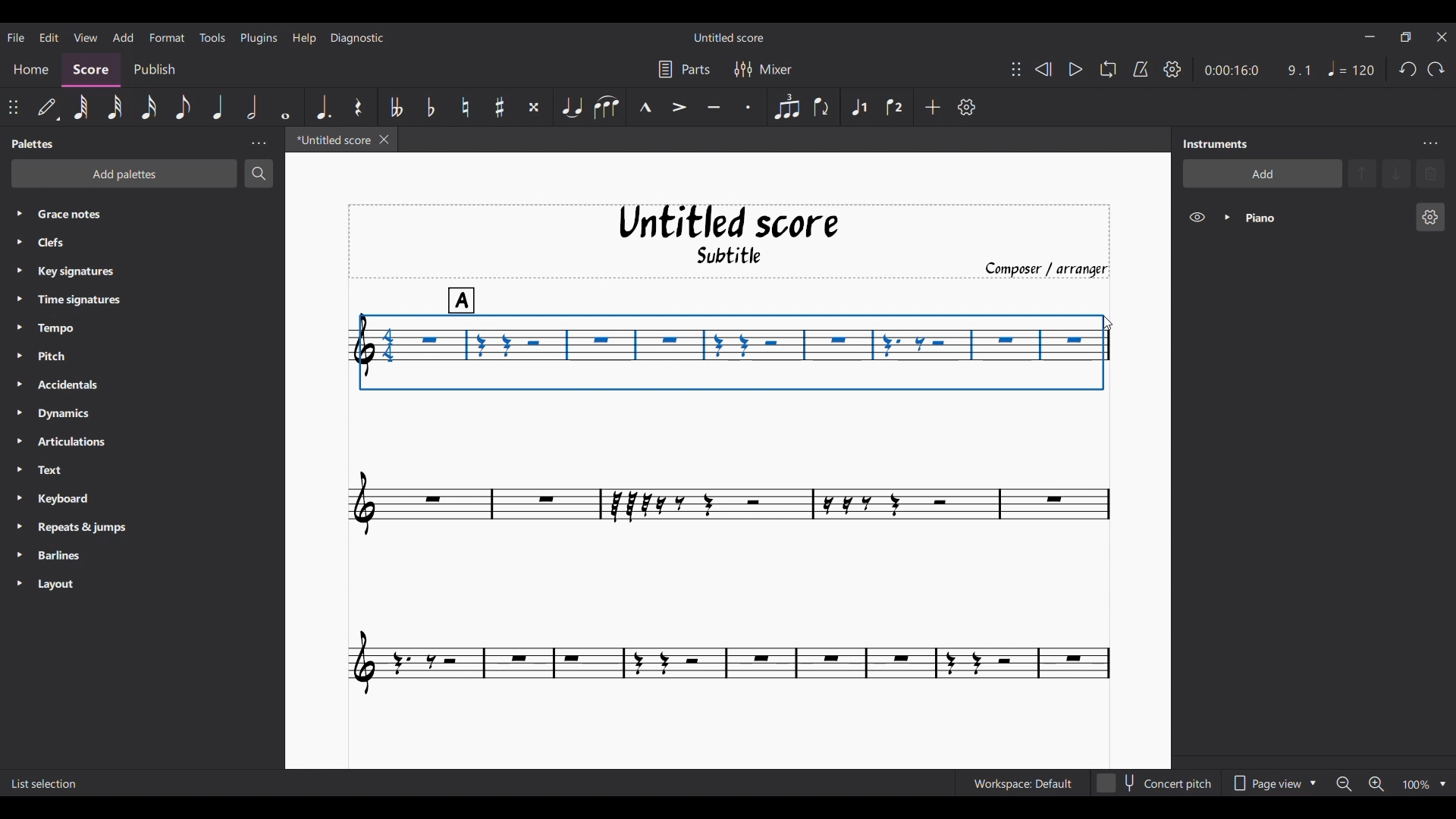 The image size is (1456, 819). I want to click on Search, so click(259, 173).